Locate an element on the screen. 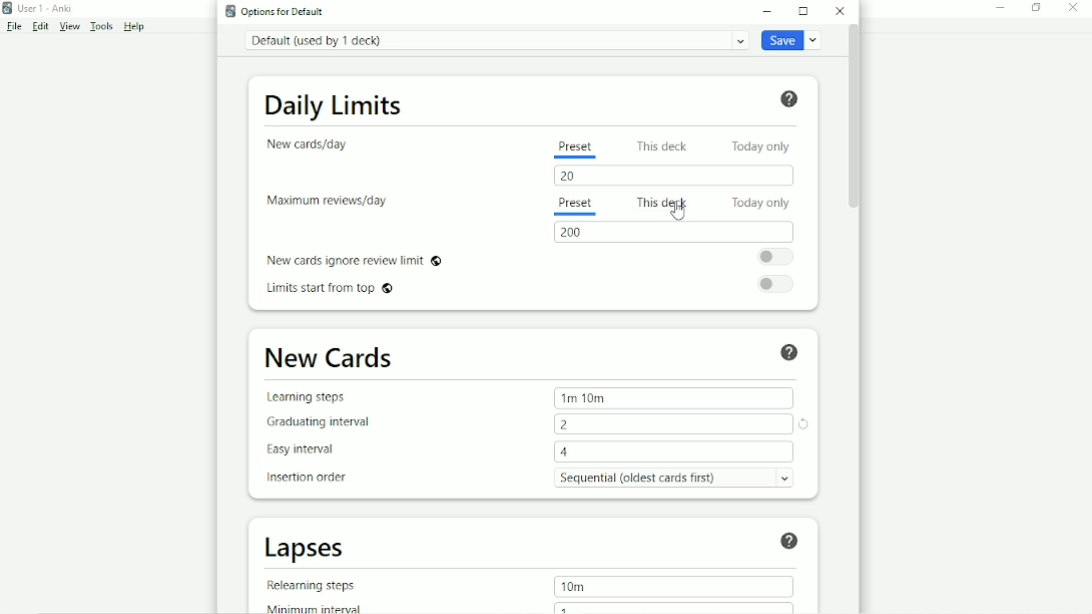 The image size is (1092, 614). 200 is located at coordinates (573, 232).